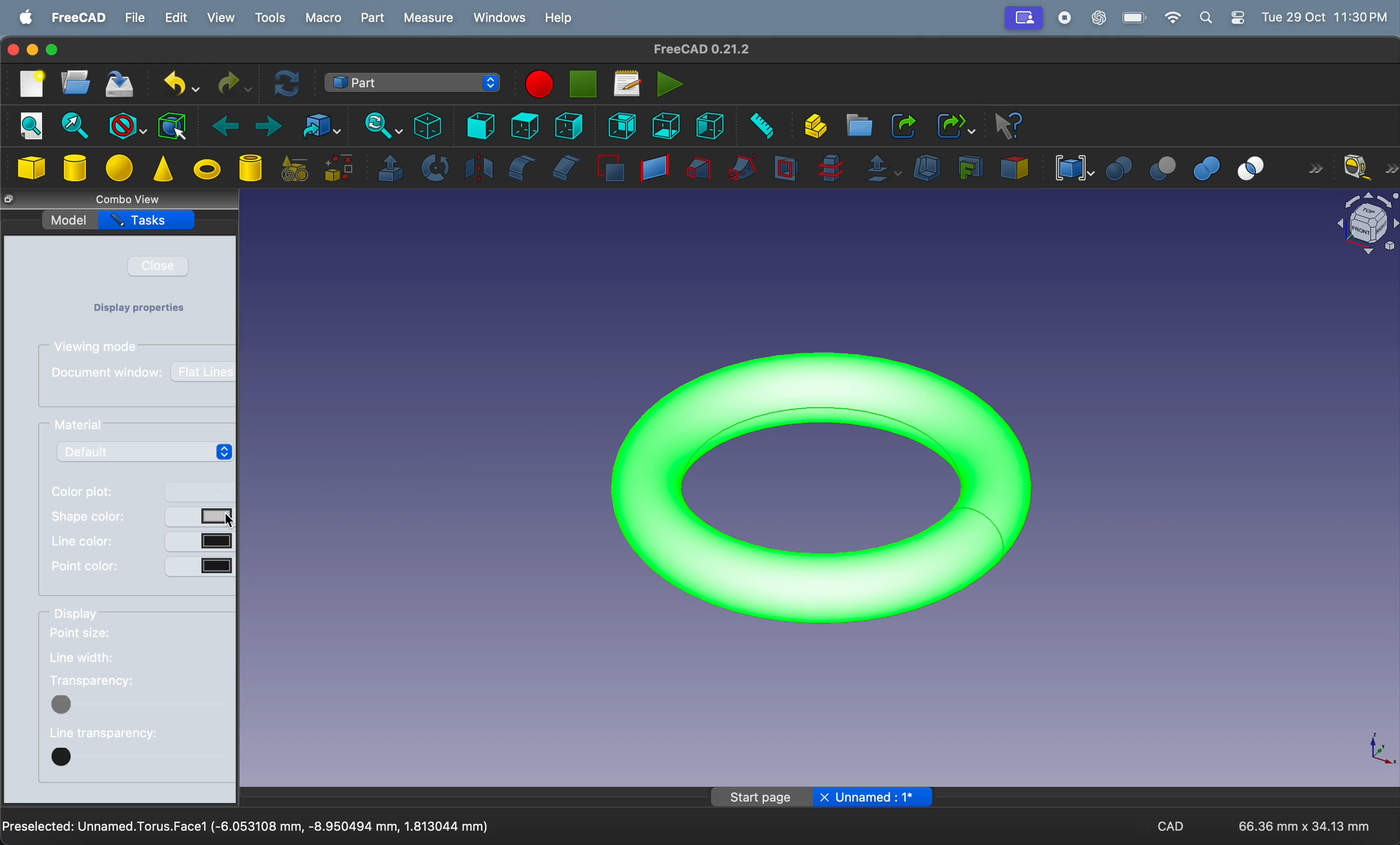 Image resolution: width=1400 pixels, height=845 pixels. Describe the element at coordinates (181, 84) in the screenshot. I see `undo` at that location.